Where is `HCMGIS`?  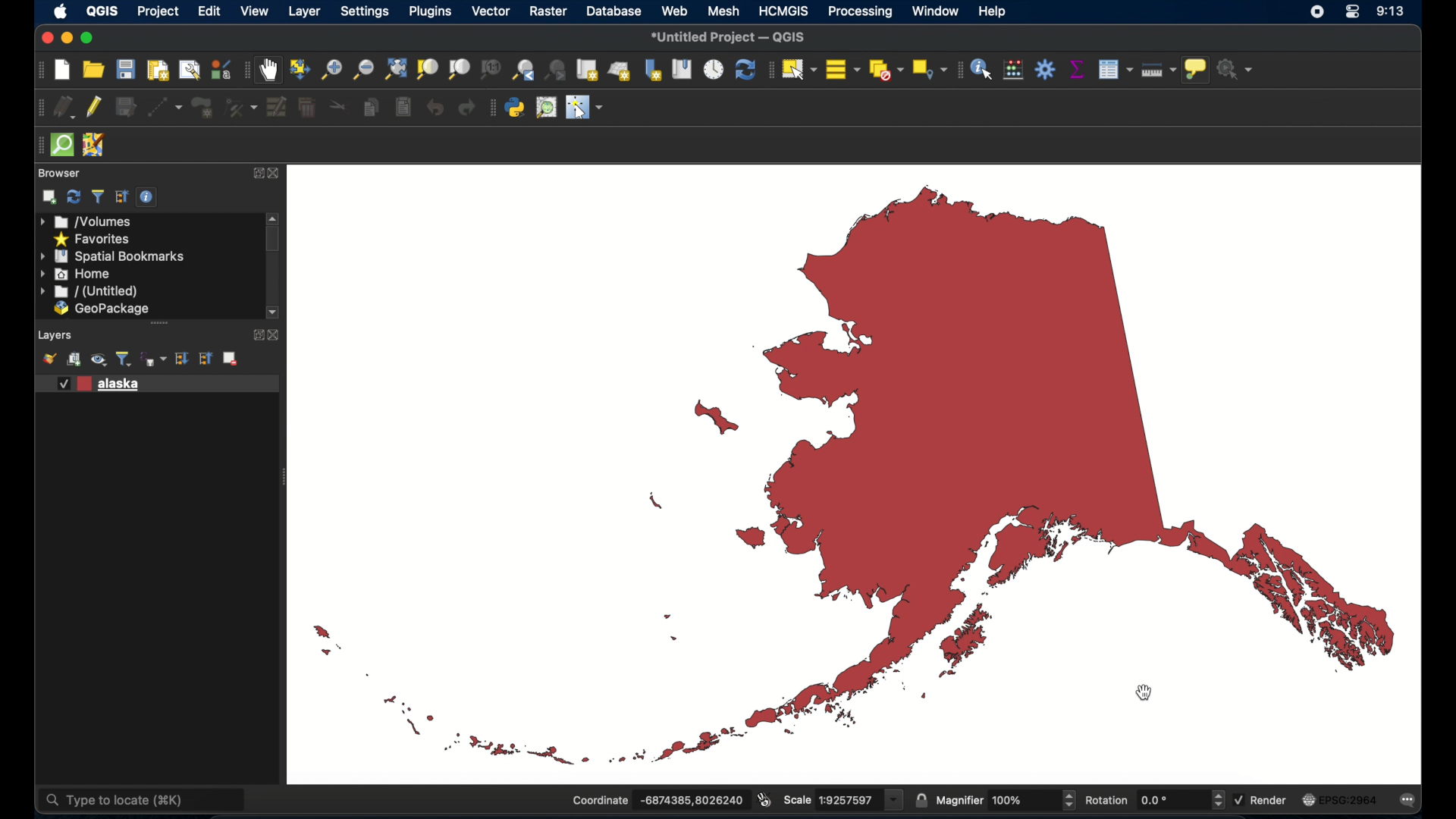 HCMGIS is located at coordinates (785, 11).